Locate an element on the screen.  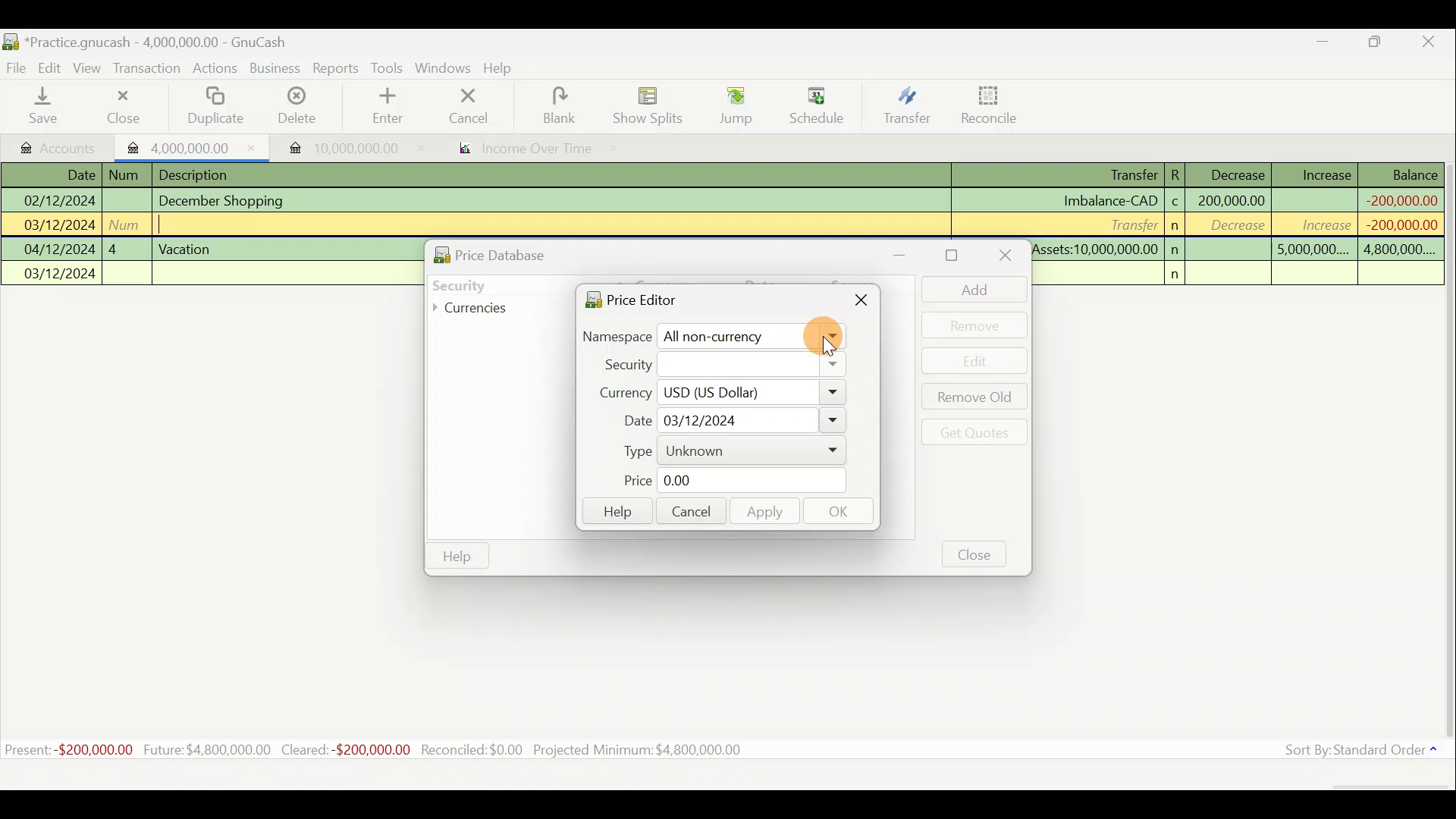
Minimise is located at coordinates (1325, 45).